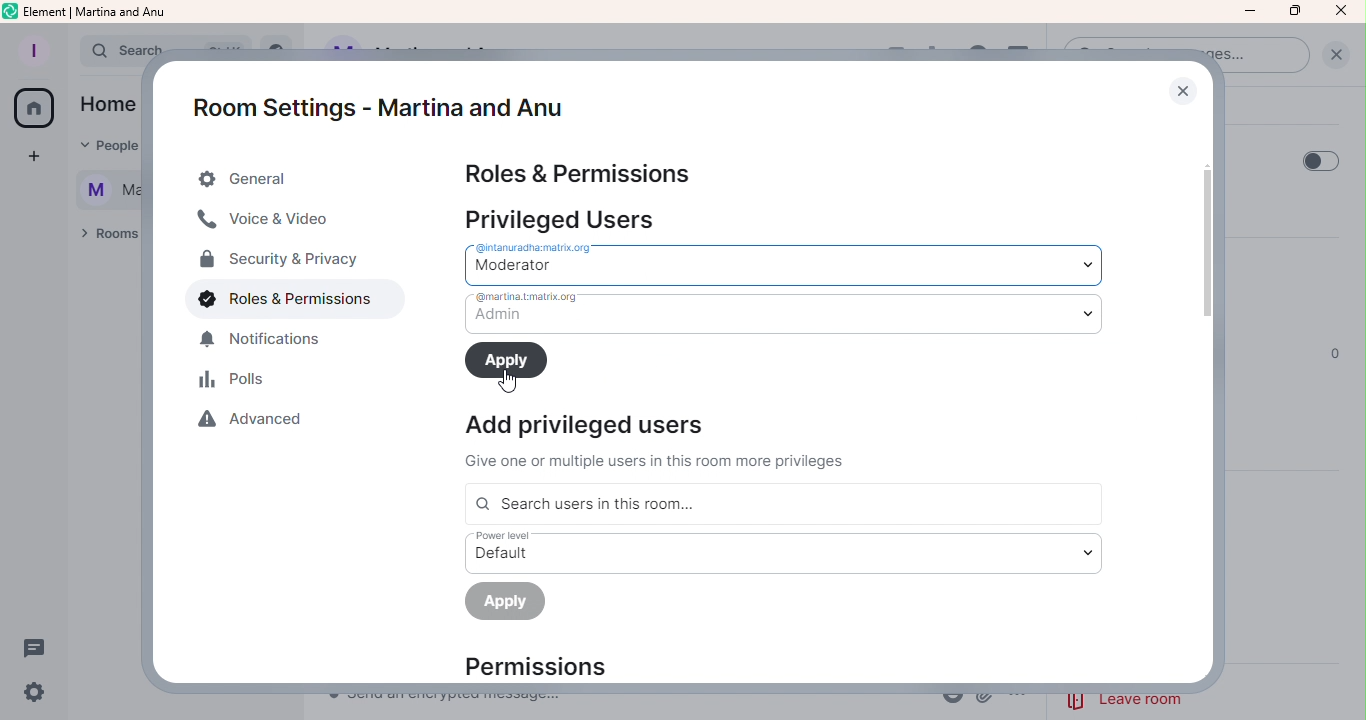 This screenshot has width=1366, height=720. What do you see at coordinates (278, 262) in the screenshot?
I see `Security and privacy` at bounding box center [278, 262].